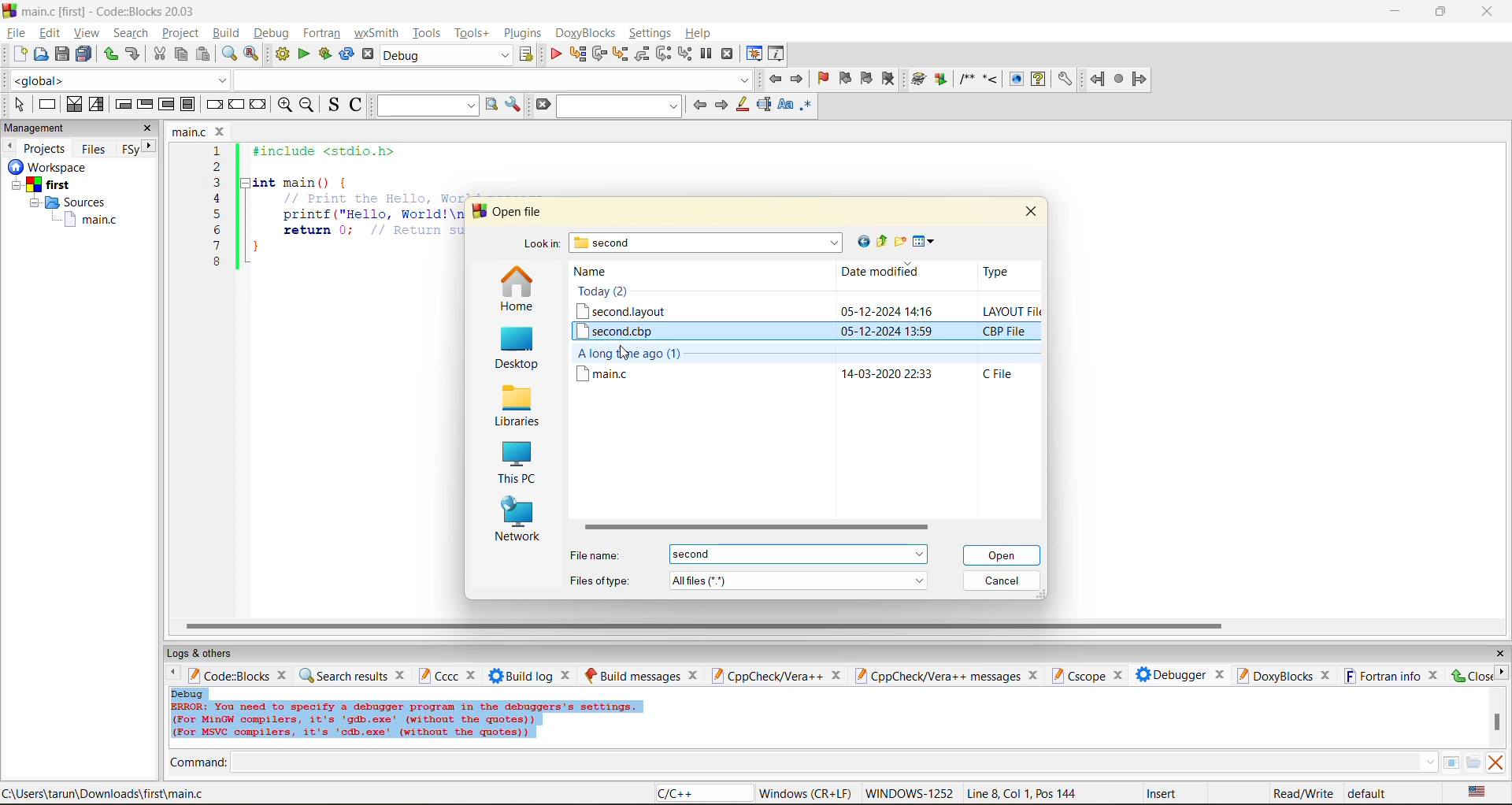 The height and width of the screenshot is (805, 1512). I want to click on toggle source, so click(335, 104).